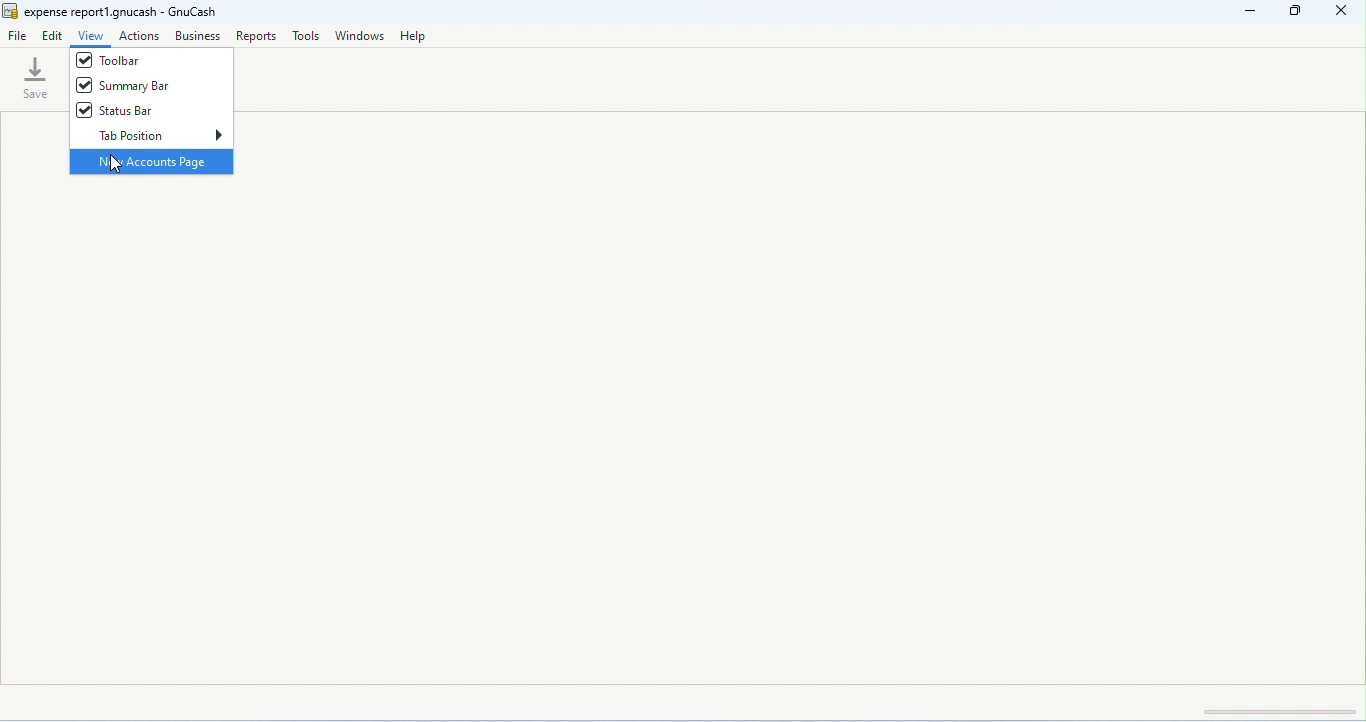 This screenshot has width=1366, height=722. Describe the element at coordinates (151, 161) in the screenshot. I see `new account page` at that location.